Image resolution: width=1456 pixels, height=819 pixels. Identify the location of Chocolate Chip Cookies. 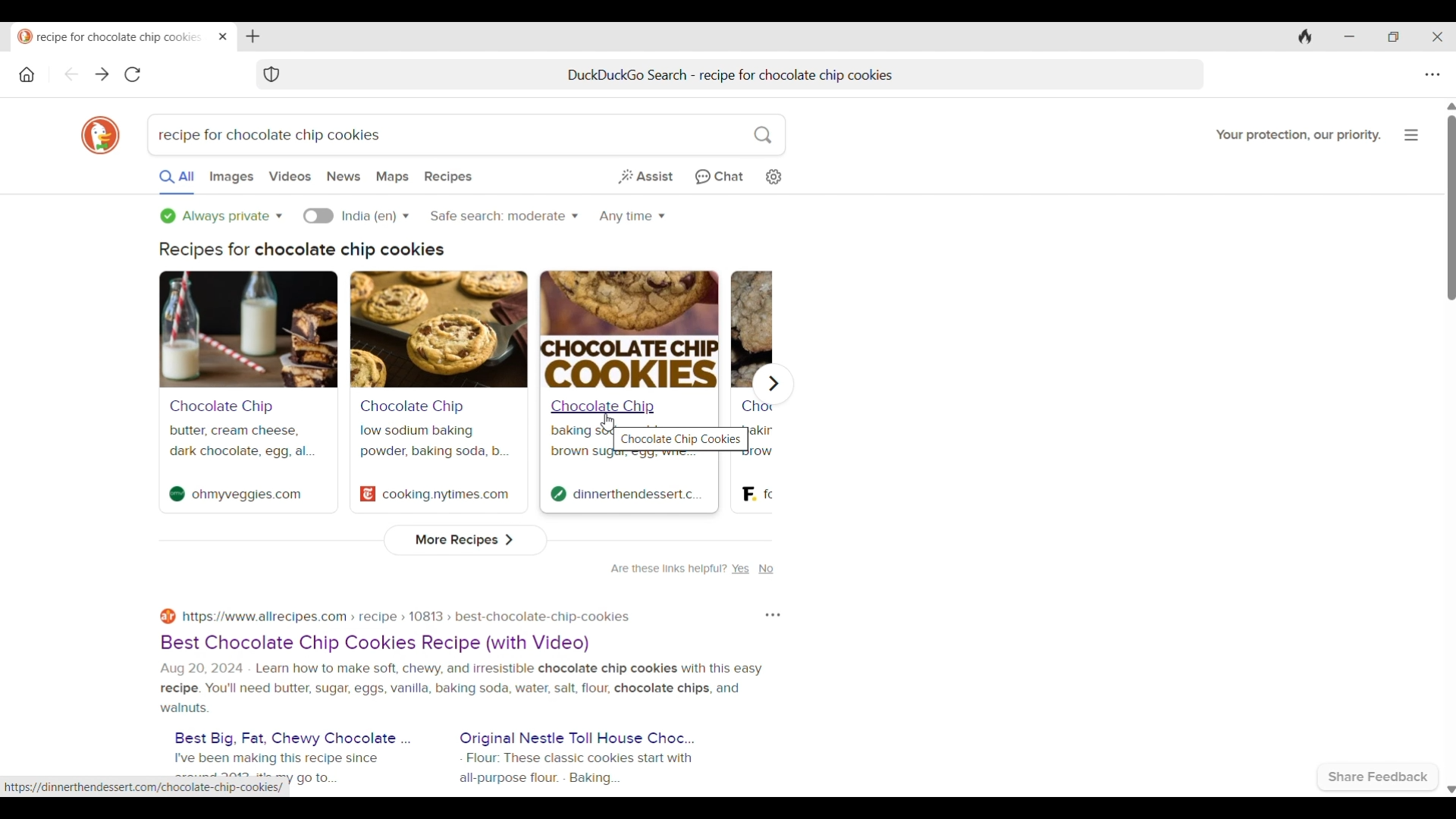
(681, 440).